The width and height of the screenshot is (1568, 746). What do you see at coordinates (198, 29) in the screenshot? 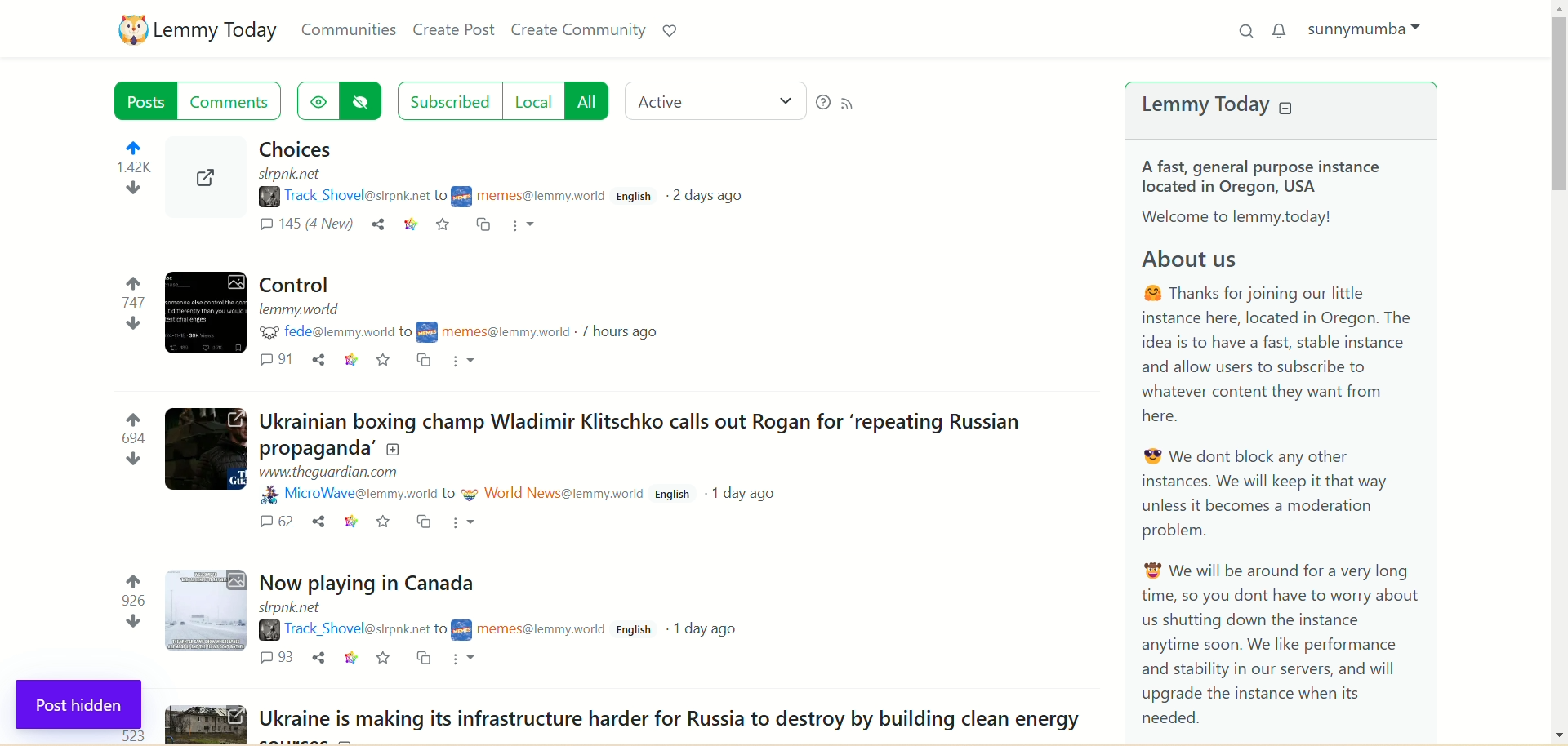
I see `lemmy today logo and name` at bounding box center [198, 29].